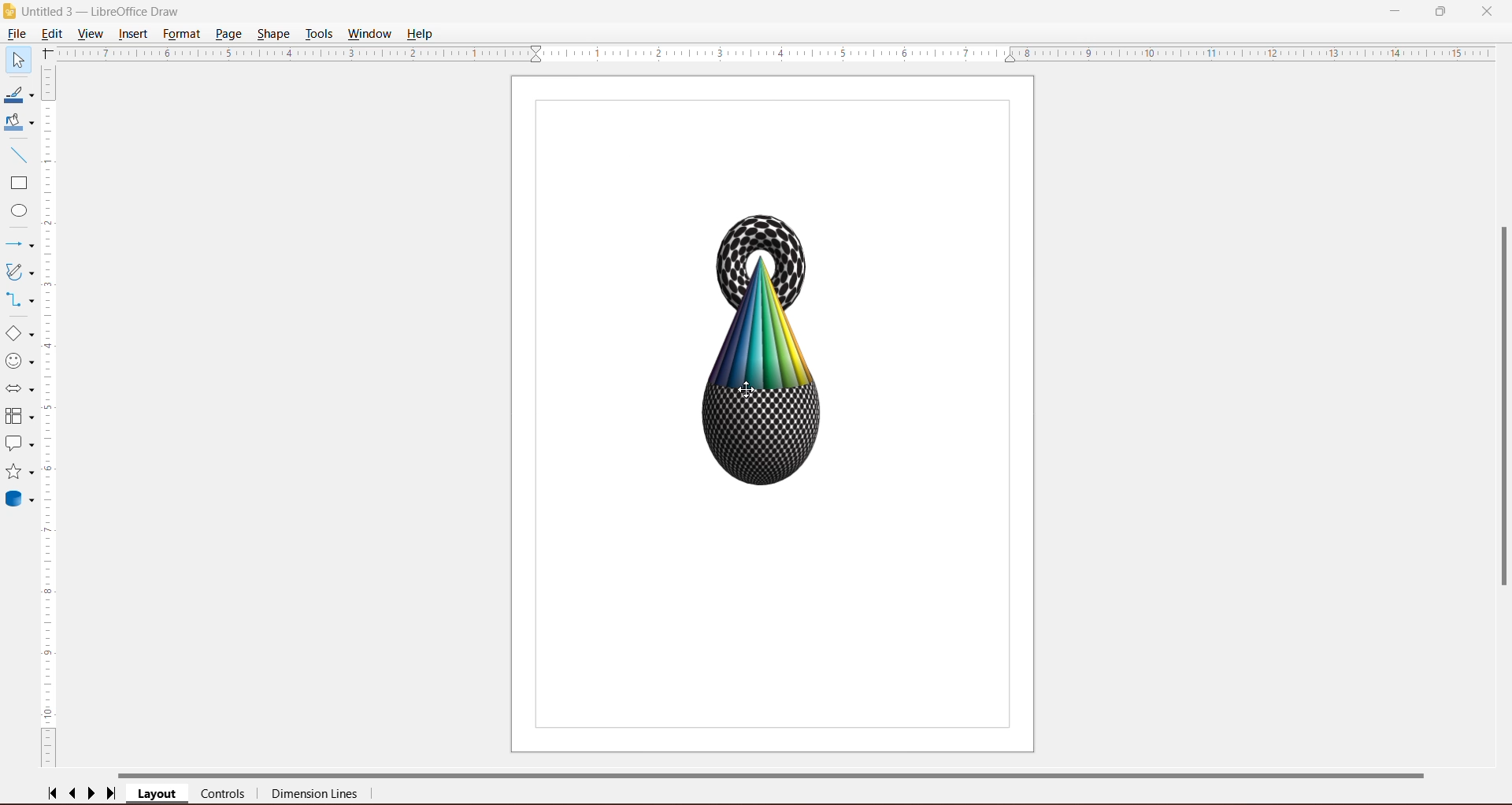  Describe the element at coordinates (19, 333) in the screenshot. I see `Basic Shapes` at that location.